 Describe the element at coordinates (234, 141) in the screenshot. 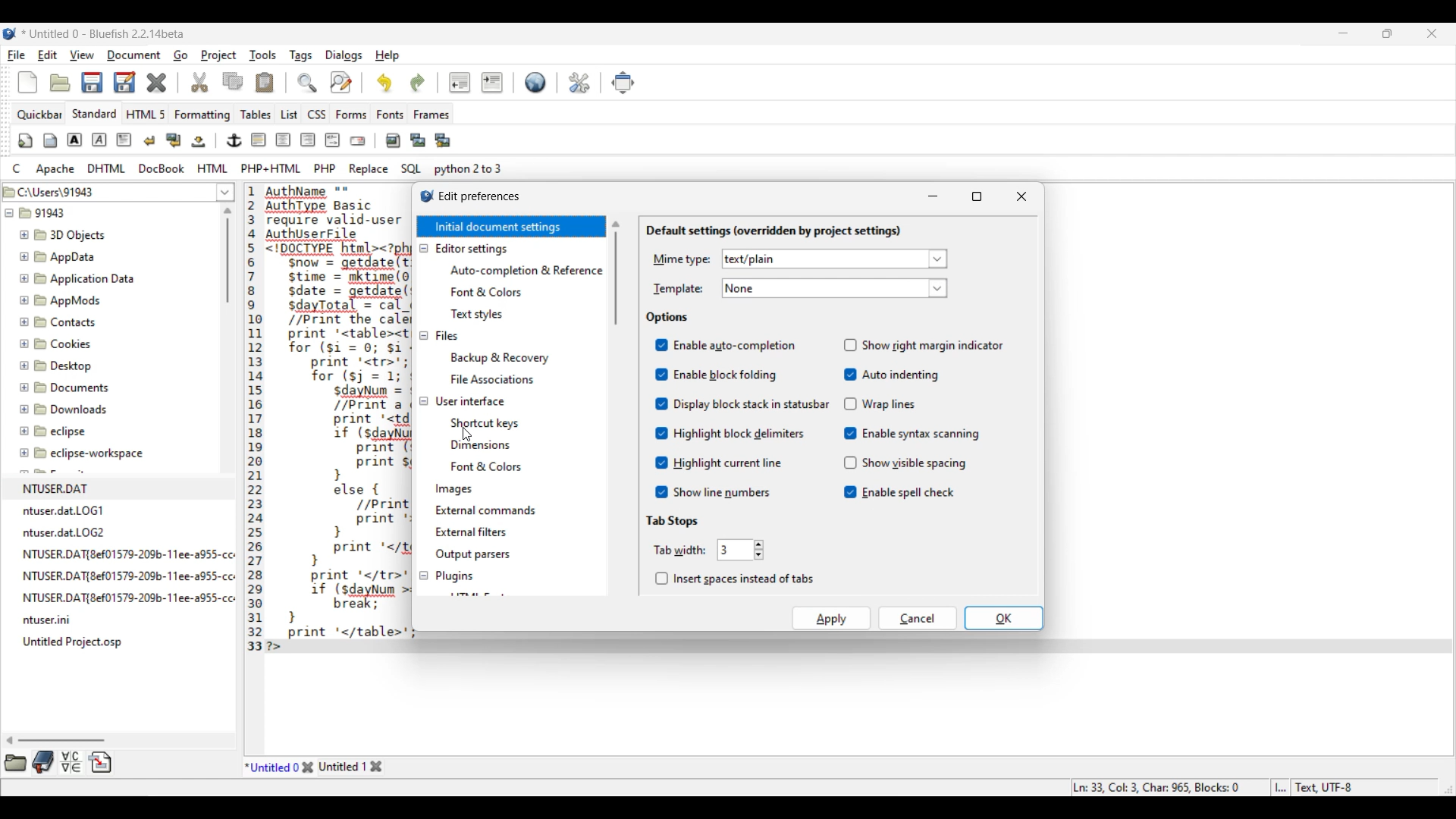

I see `Text and image edit tools` at that location.